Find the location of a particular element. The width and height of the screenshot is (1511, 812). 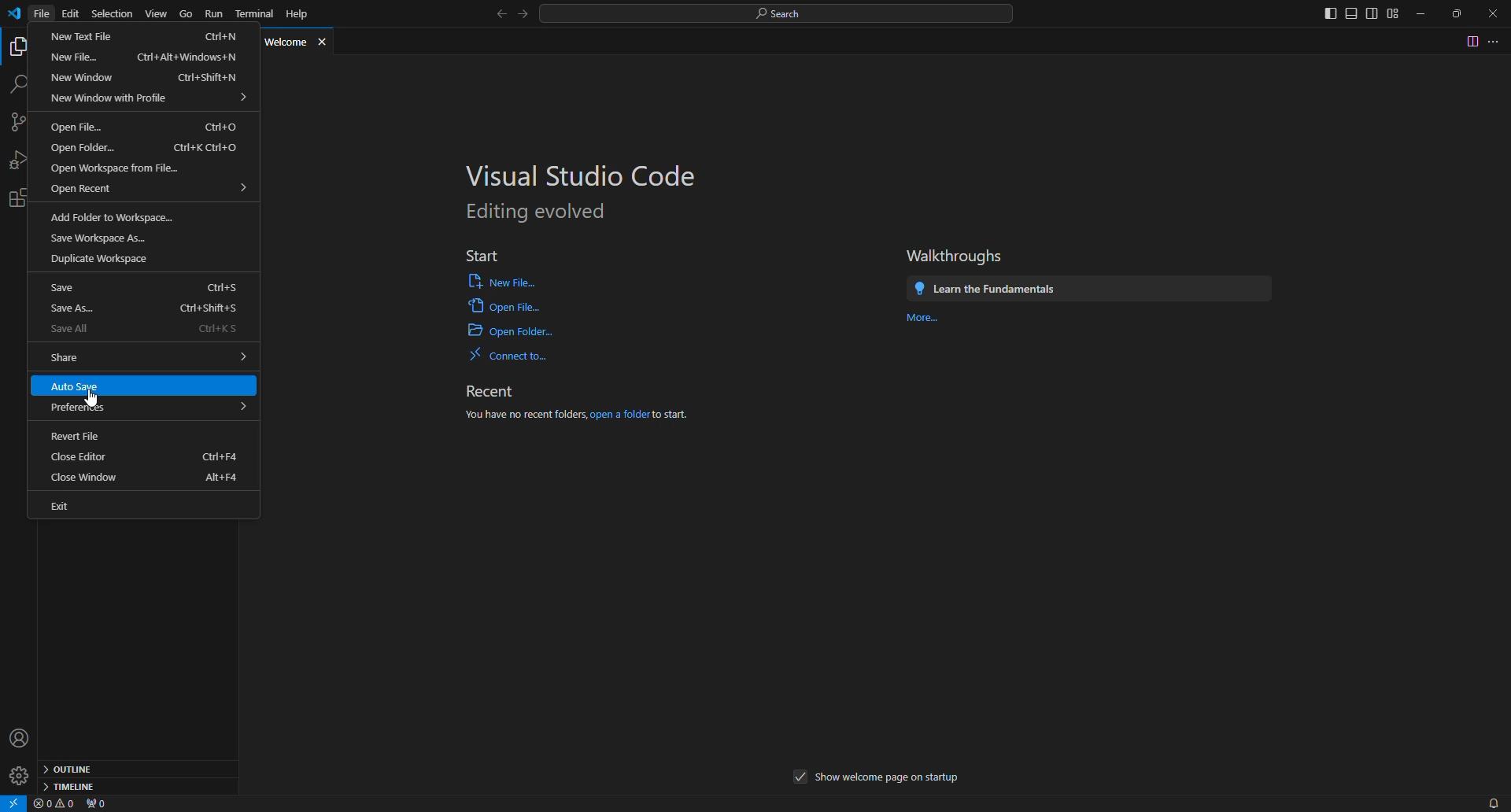

to start is located at coordinates (671, 415).